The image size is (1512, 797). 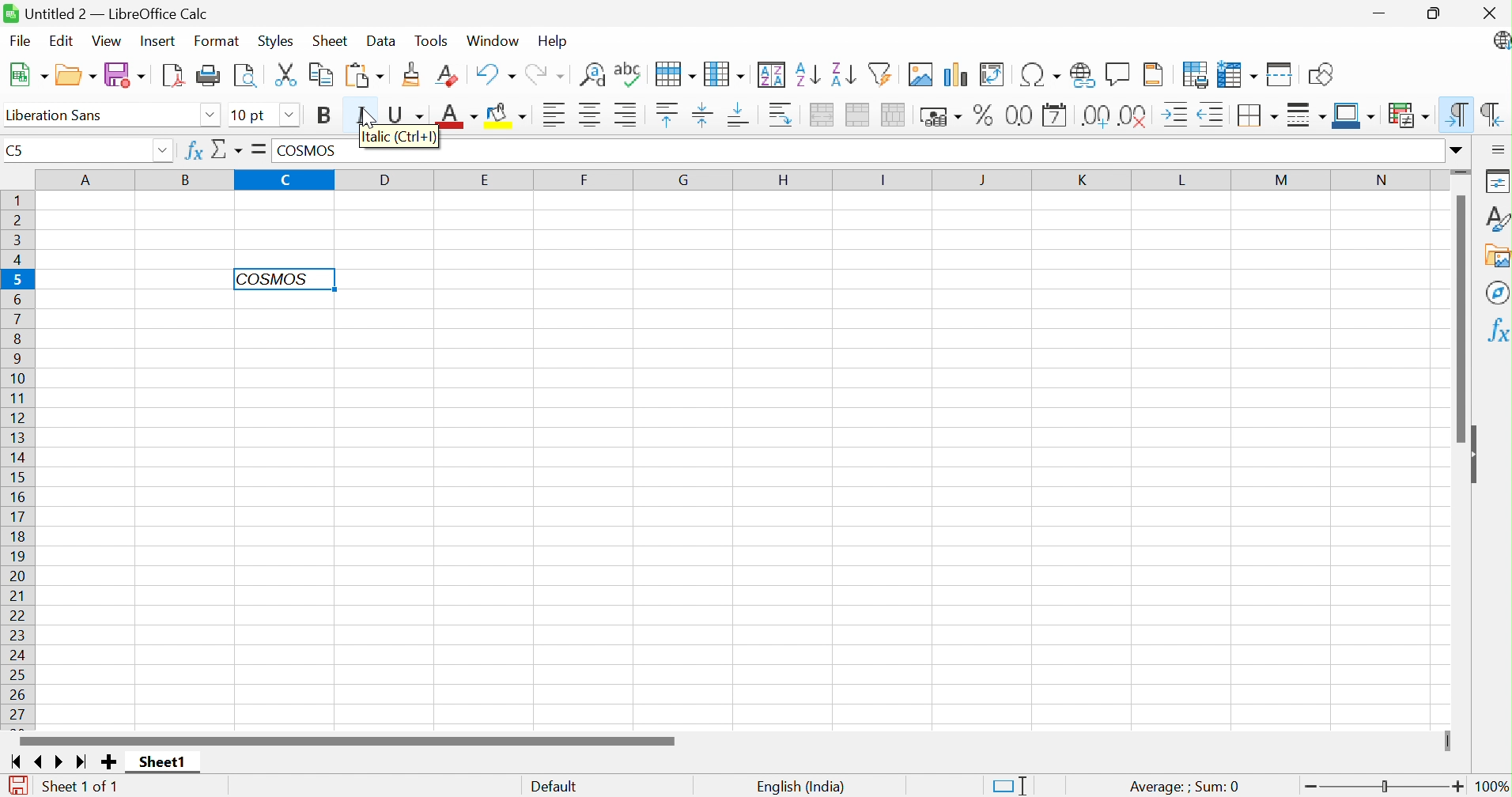 What do you see at coordinates (319, 76) in the screenshot?
I see `Copy` at bounding box center [319, 76].